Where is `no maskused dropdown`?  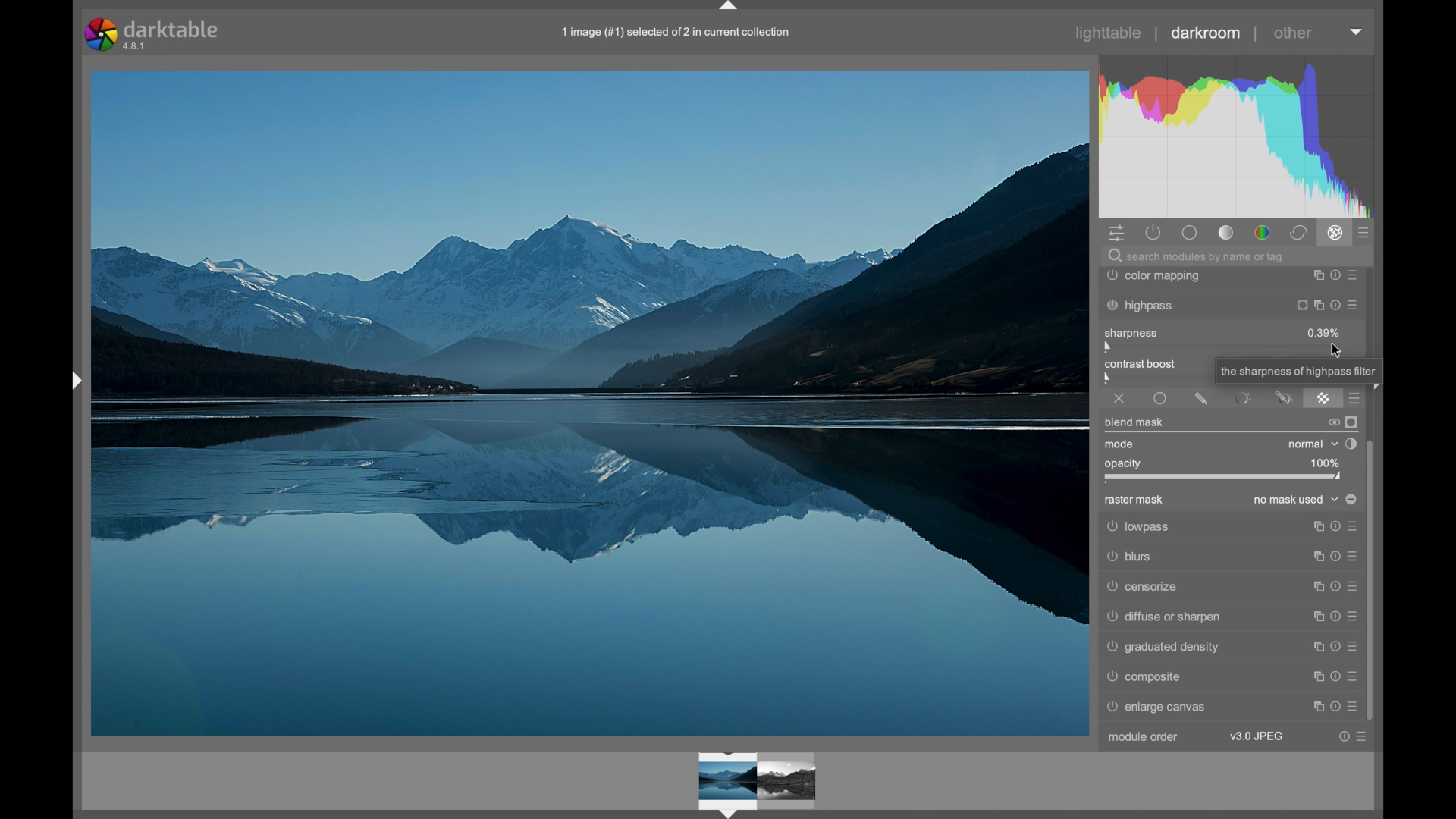
no maskused dropdown is located at coordinates (1297, 500).